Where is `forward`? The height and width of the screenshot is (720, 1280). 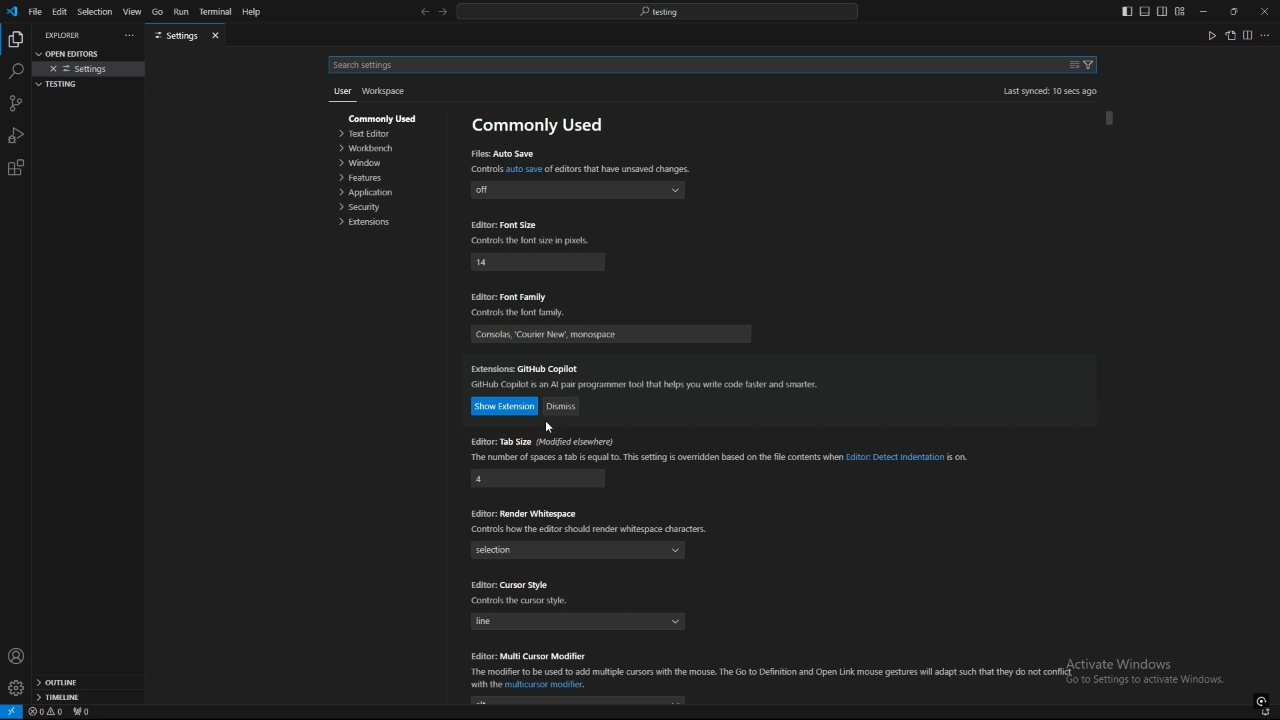
forward is located at coordinates (443, 13).